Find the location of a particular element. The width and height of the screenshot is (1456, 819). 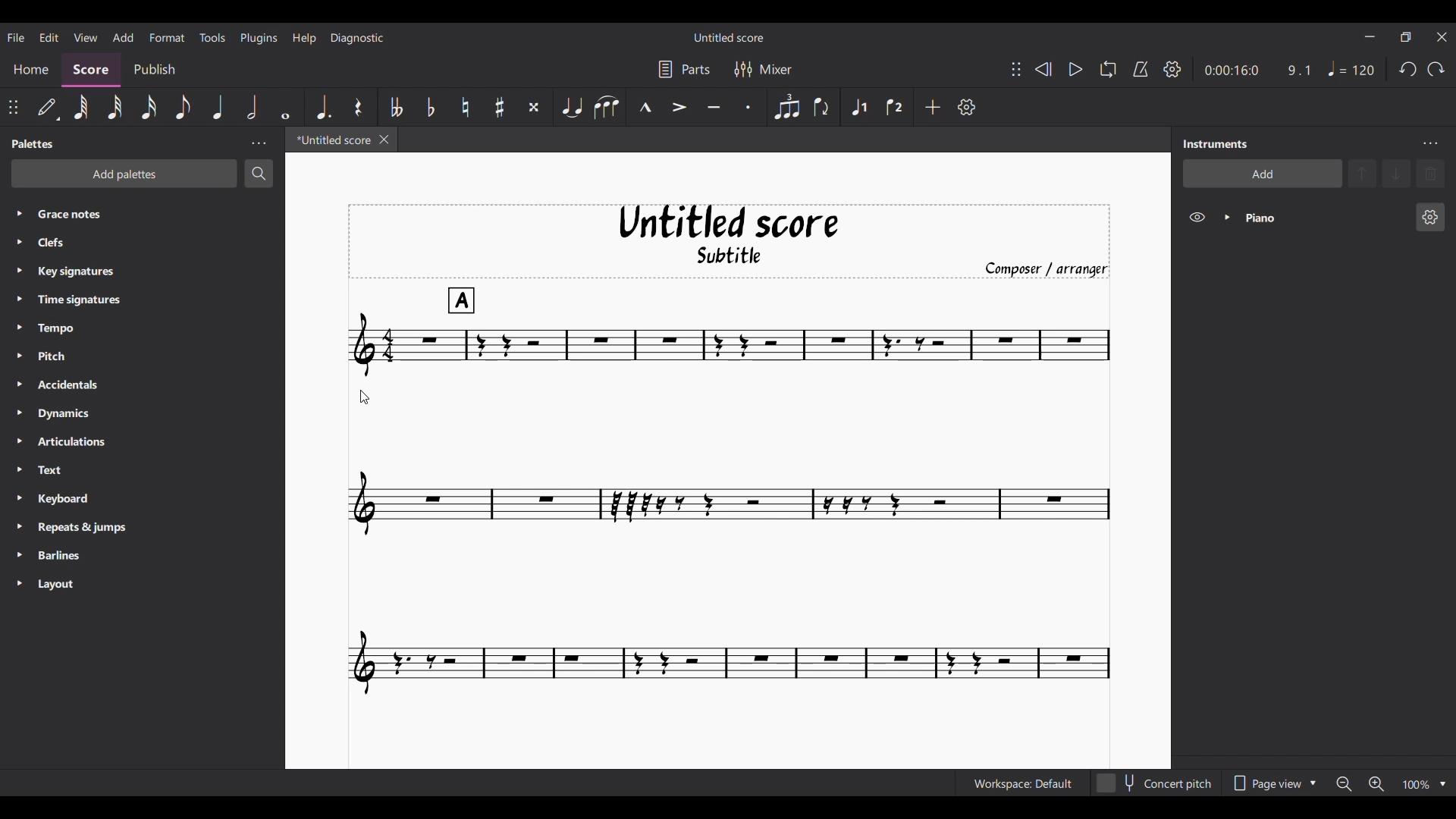

Quarter note is located at coordinates (218, 107).